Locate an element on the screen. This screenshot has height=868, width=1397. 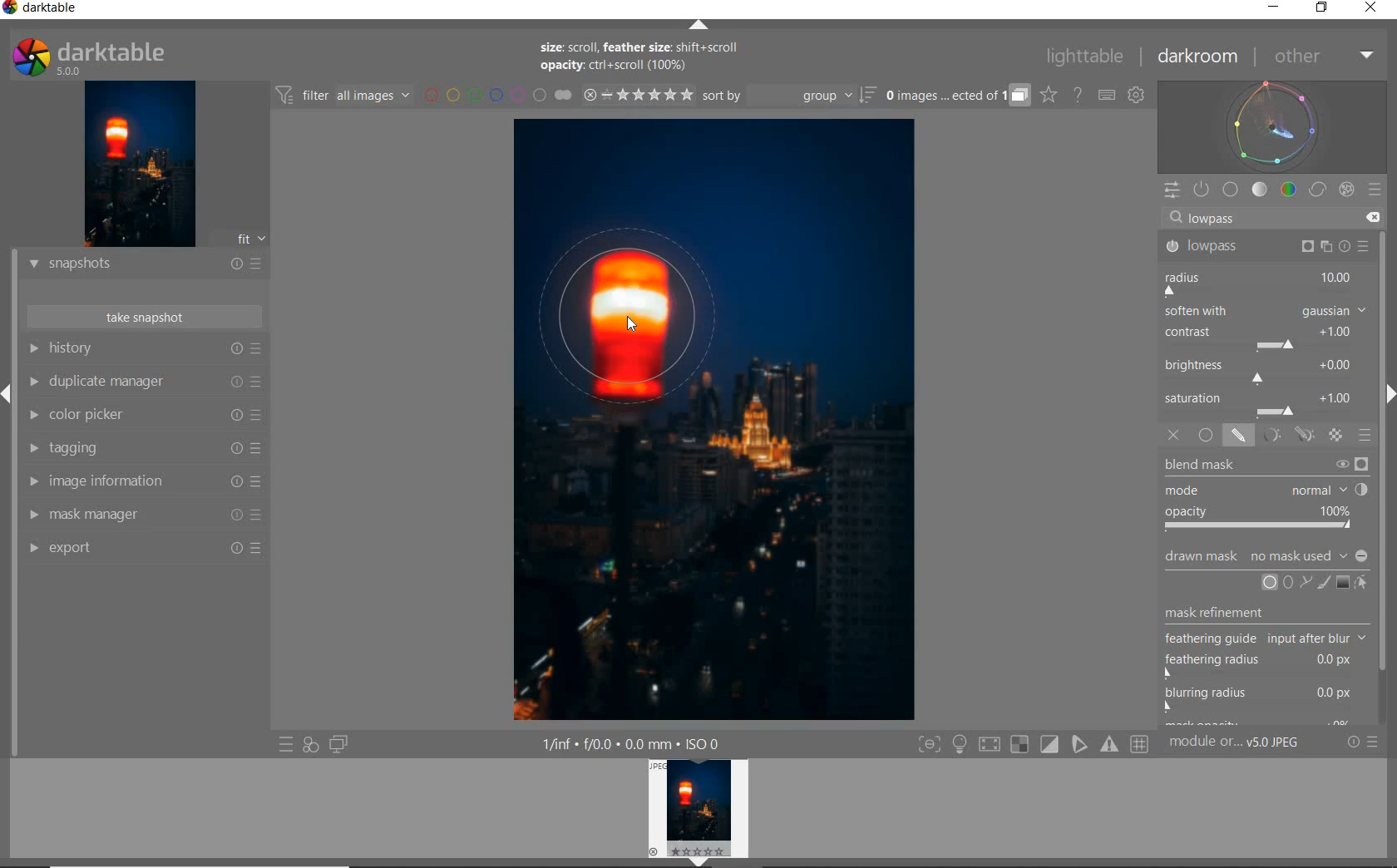
Preset and reset is located at coordinates (1365, 249).